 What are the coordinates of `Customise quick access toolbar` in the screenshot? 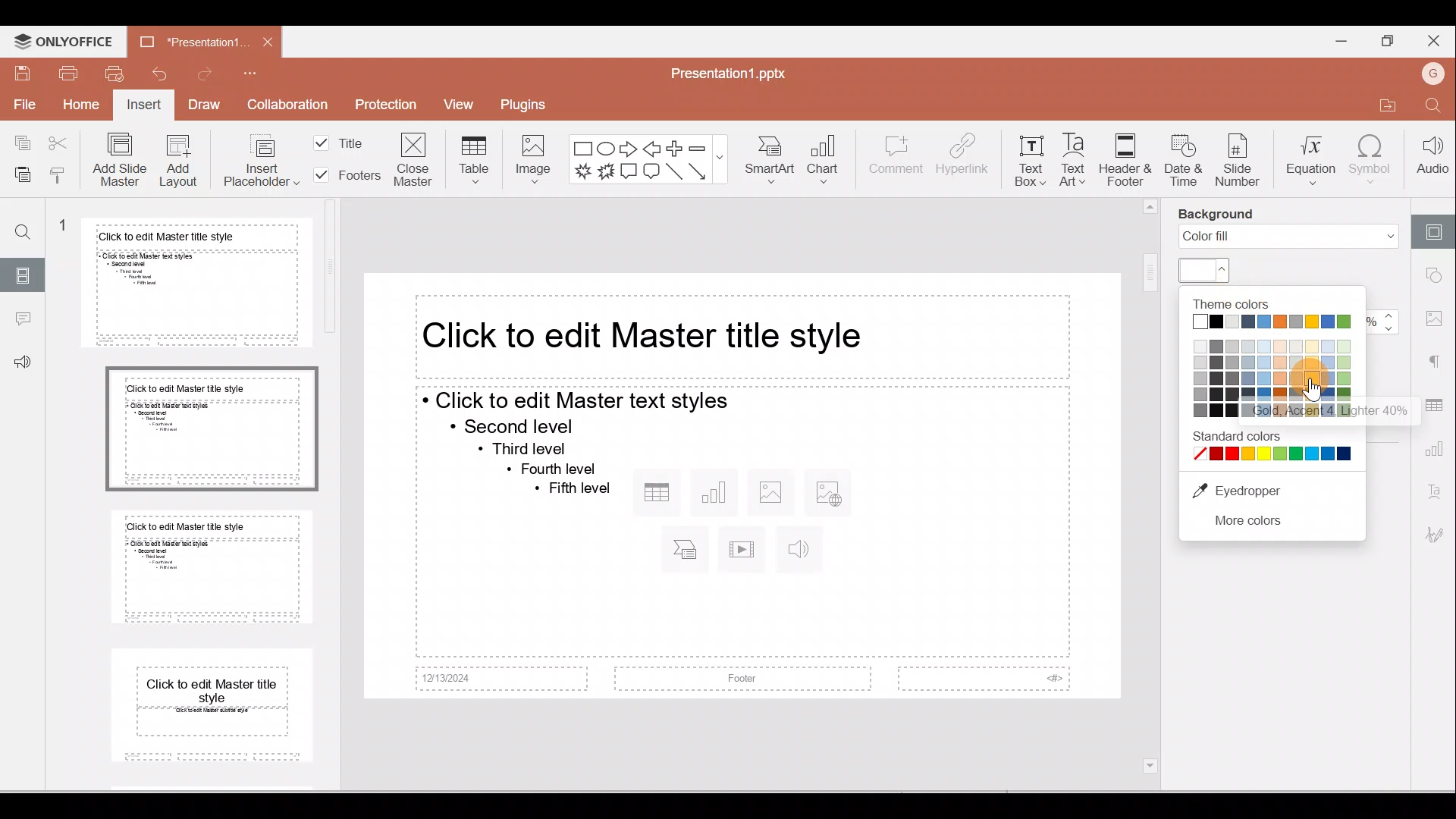 It's located at (265, 70).